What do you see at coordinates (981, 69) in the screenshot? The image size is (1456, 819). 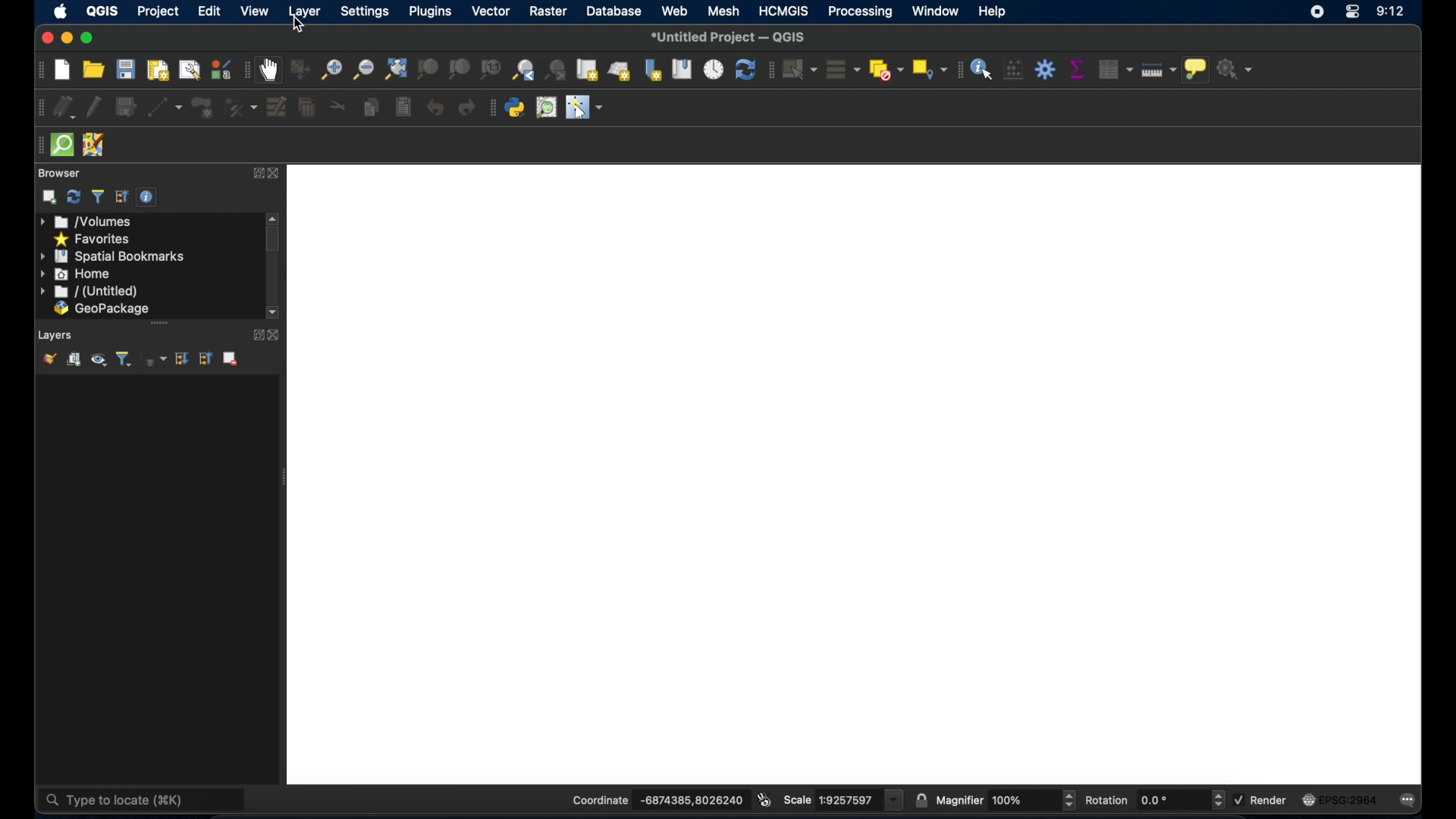 I see `identify feature` at bounding box center [981, 69].